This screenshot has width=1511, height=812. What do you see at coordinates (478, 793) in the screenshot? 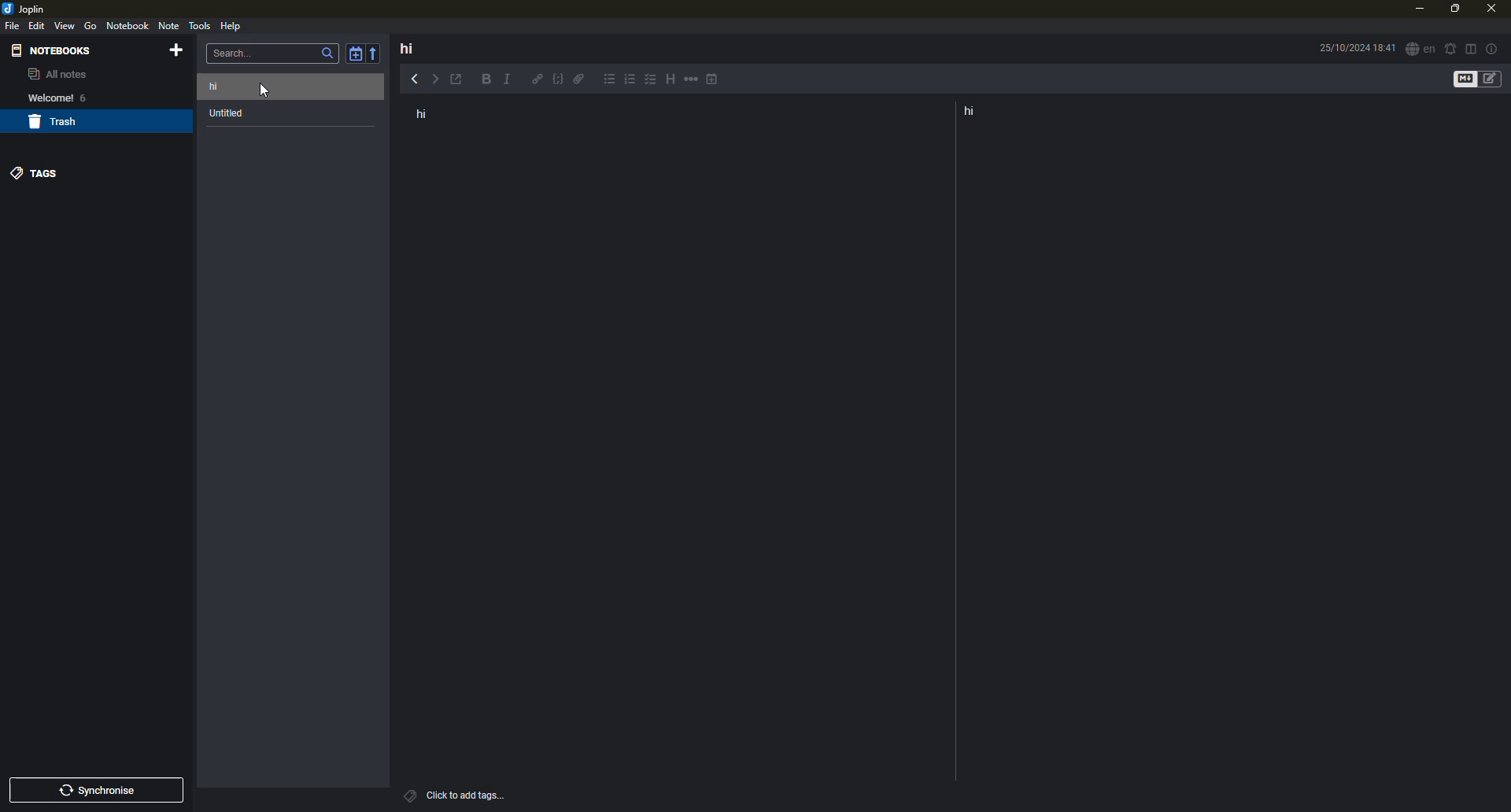
I see `click to add tags` at bounding box center [478, 793].